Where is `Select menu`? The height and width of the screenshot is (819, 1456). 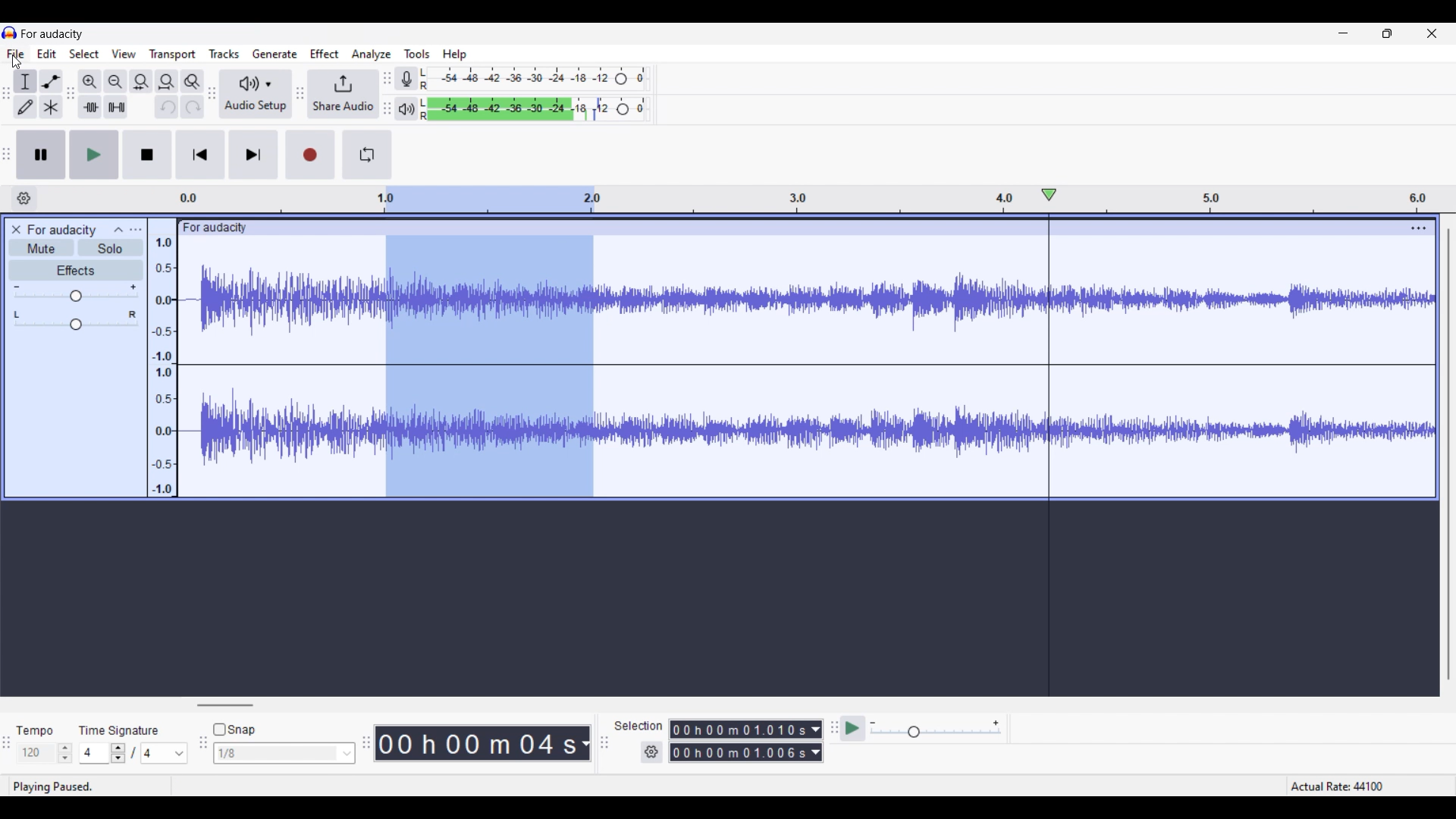 Select menu is located at coordinates (84, 54).